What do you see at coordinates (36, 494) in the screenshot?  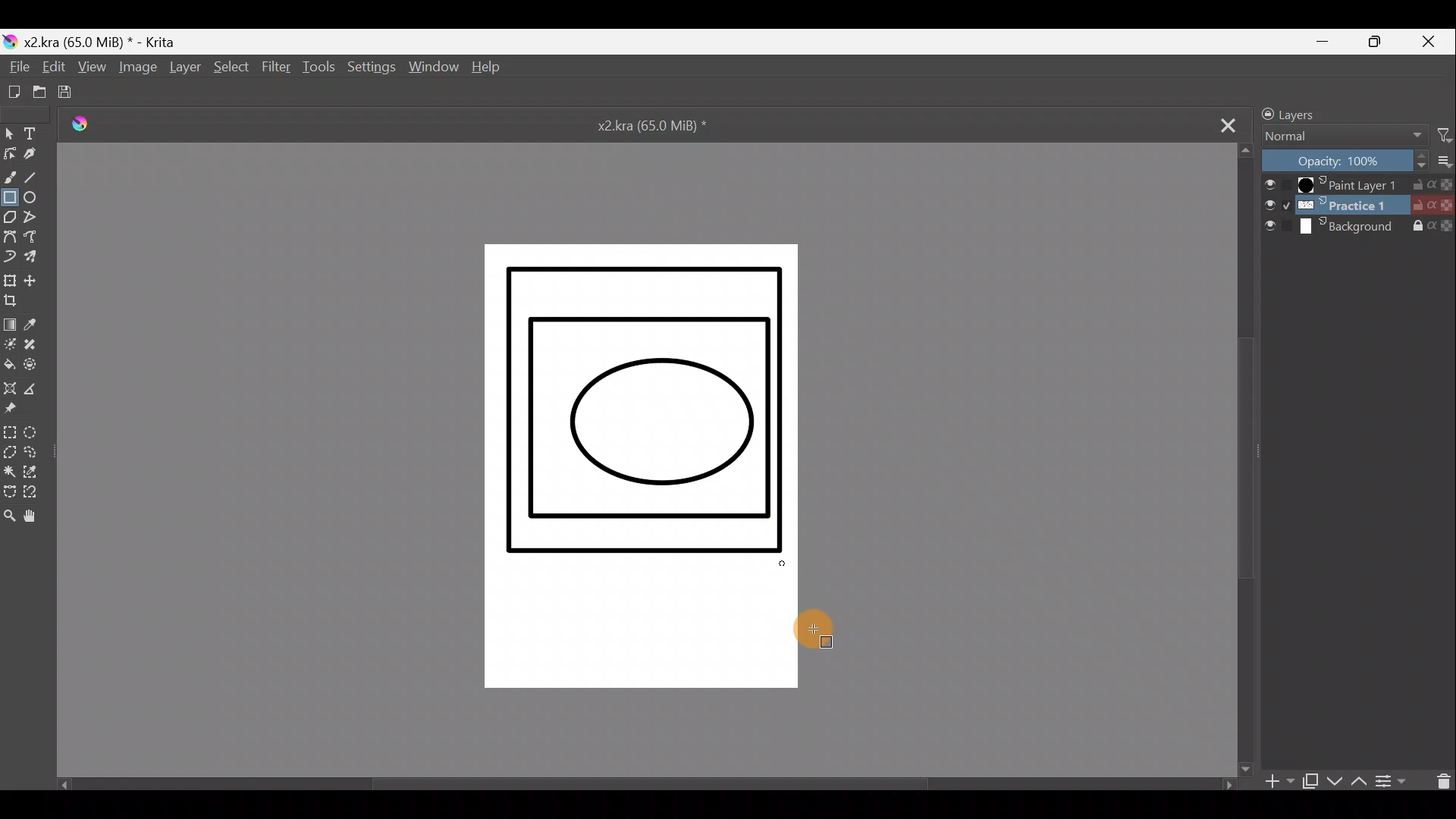 I see `Magnetic curve selection tool` at bounding box center [36, 494].